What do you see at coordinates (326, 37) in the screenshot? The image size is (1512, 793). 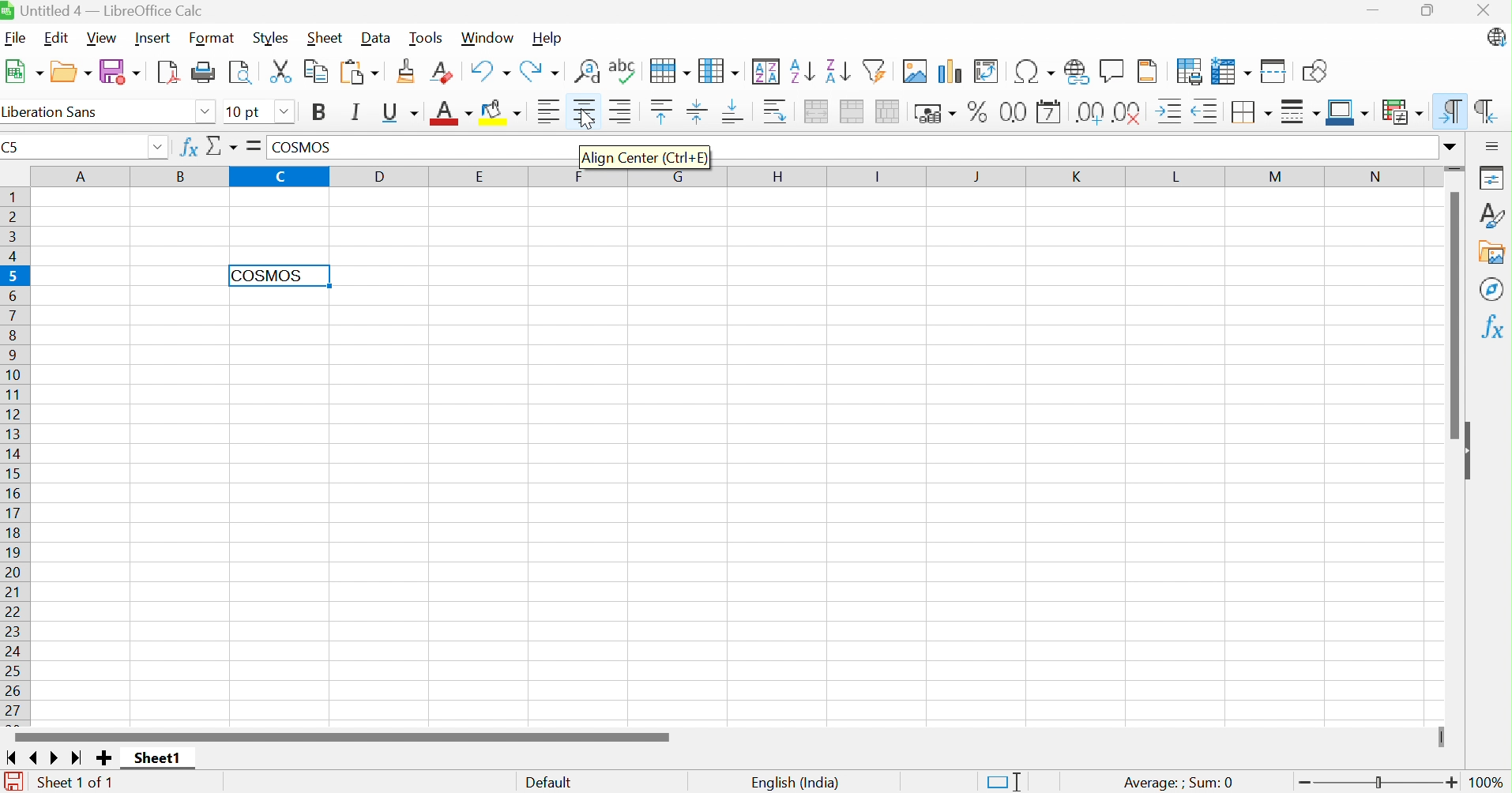 I see `Sheet` at bounding box center [326, 37].